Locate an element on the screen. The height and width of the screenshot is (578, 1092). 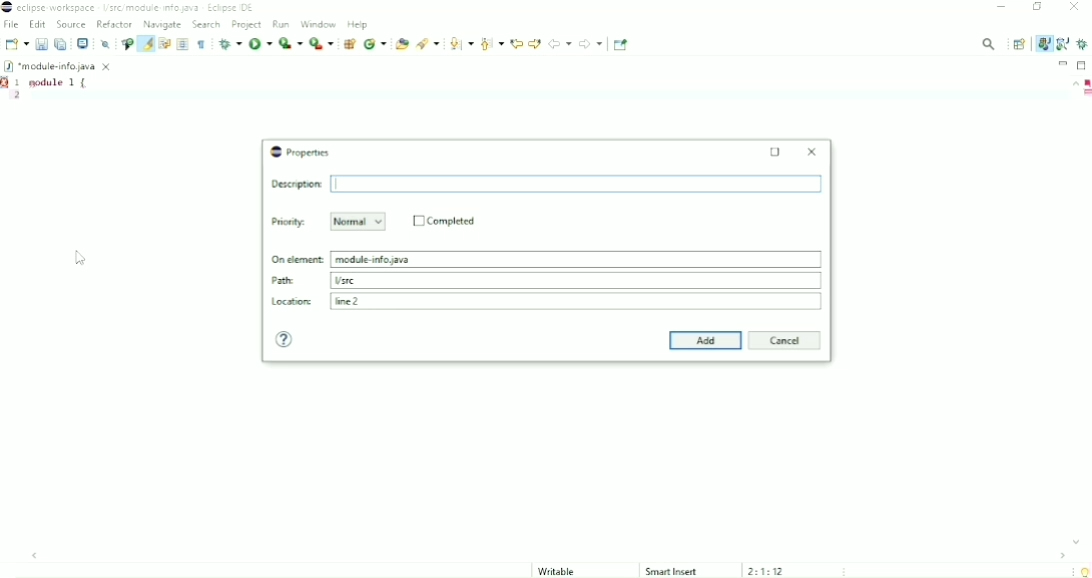
Open a terminal is located at coordinates (82, 44).